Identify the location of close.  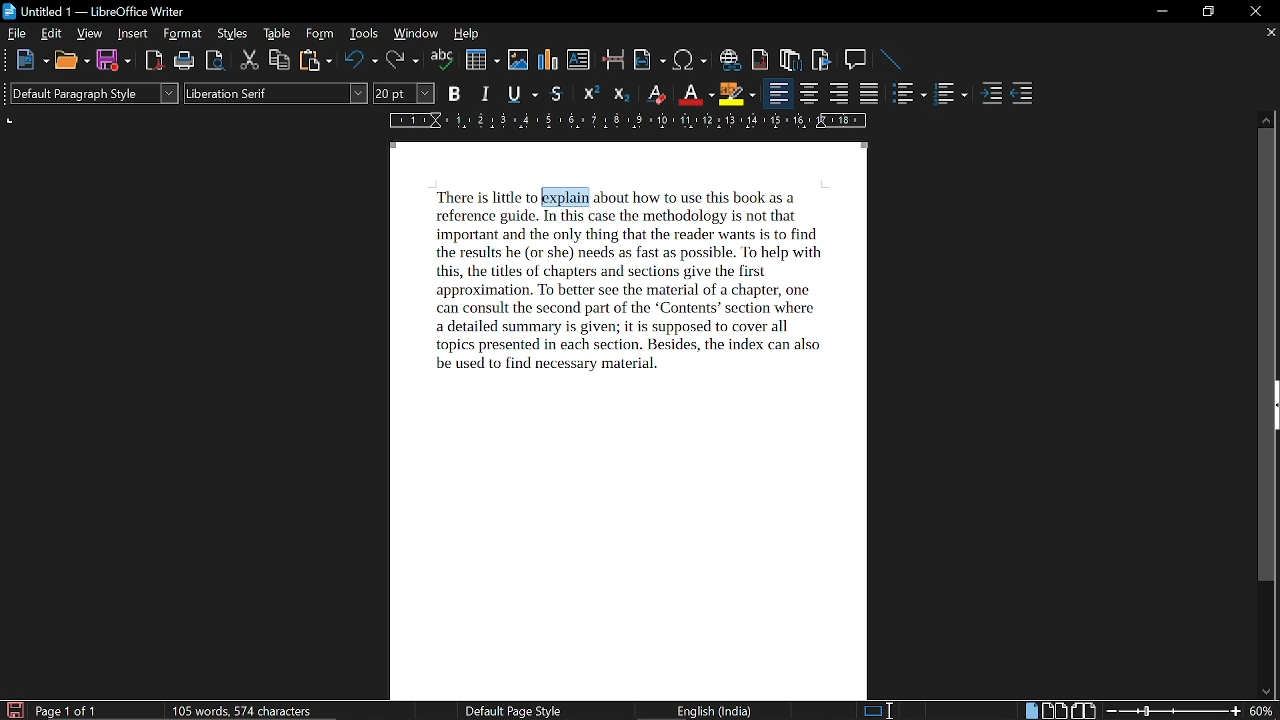
(1253, 12).